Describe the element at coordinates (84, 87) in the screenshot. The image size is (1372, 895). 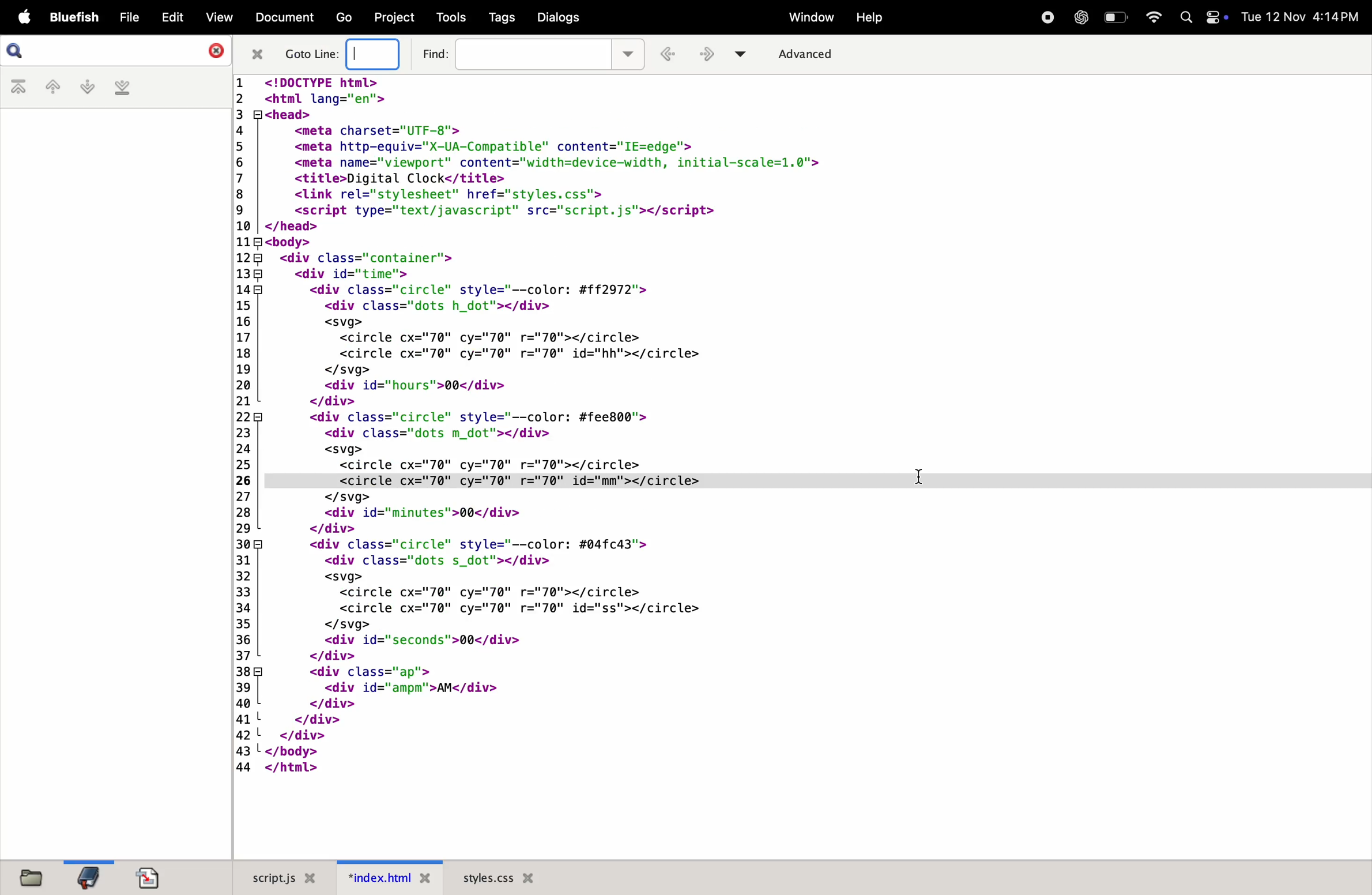
I see `next bookmark` at that location.